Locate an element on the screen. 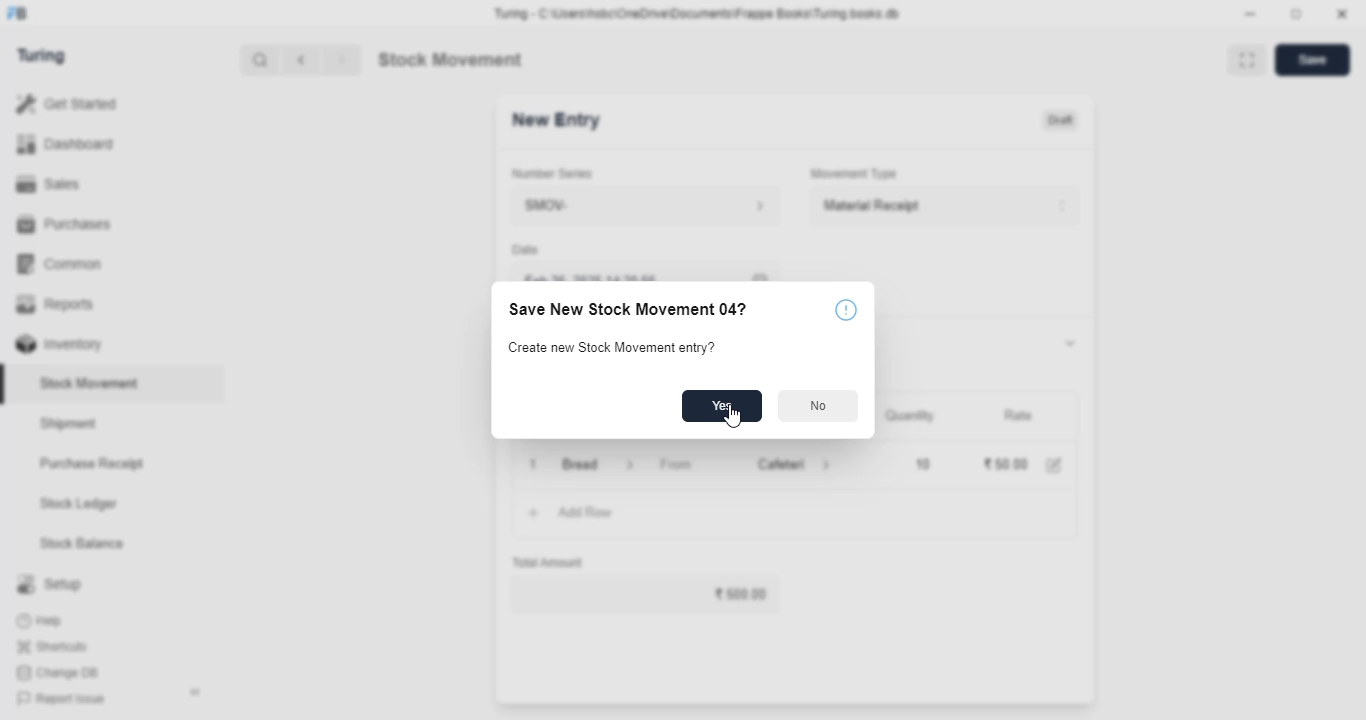  toggle expand/collapse is located at coordinates (1071, 342).